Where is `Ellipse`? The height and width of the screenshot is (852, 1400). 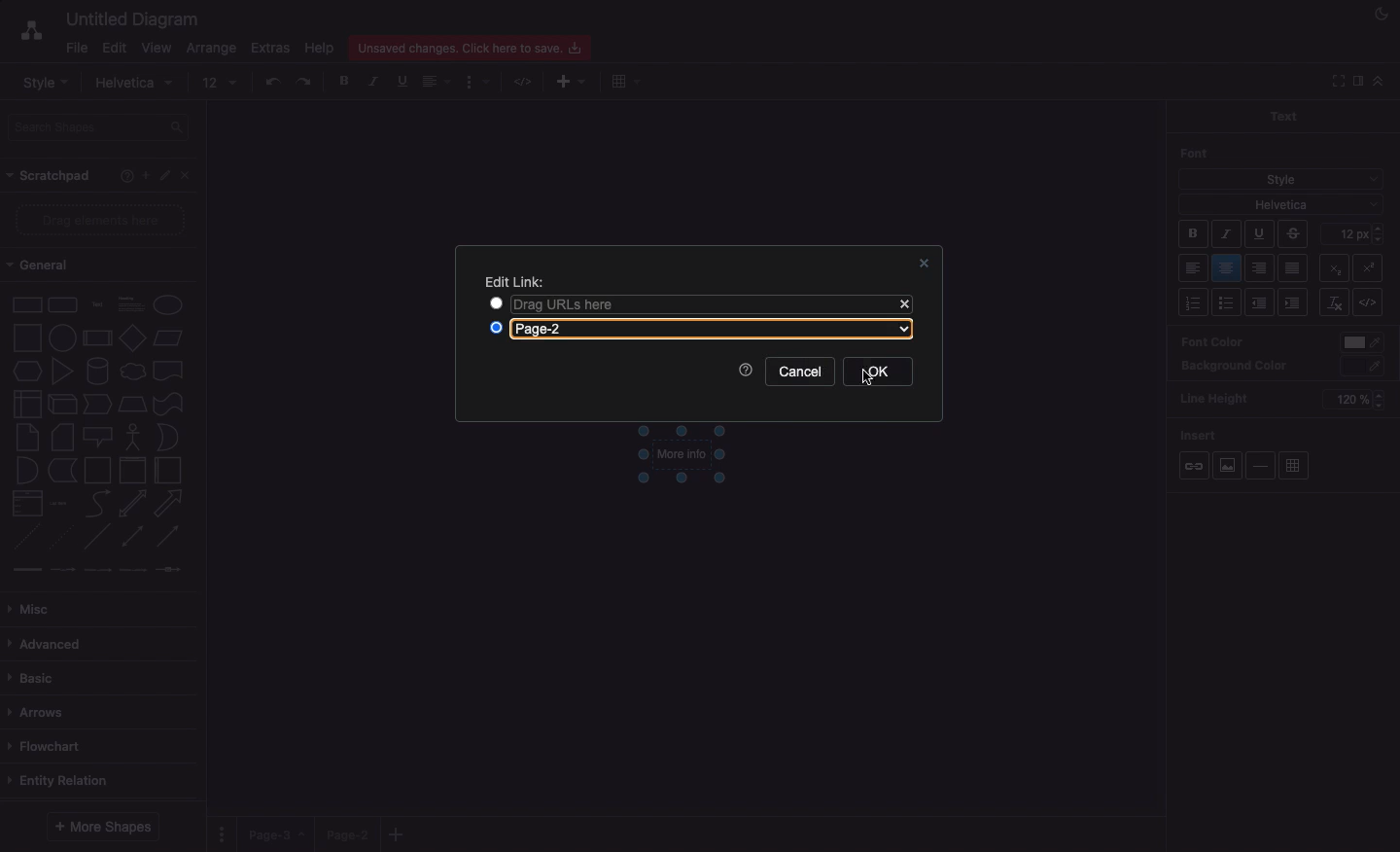 Ellipse is located at coordinates (168, 305).